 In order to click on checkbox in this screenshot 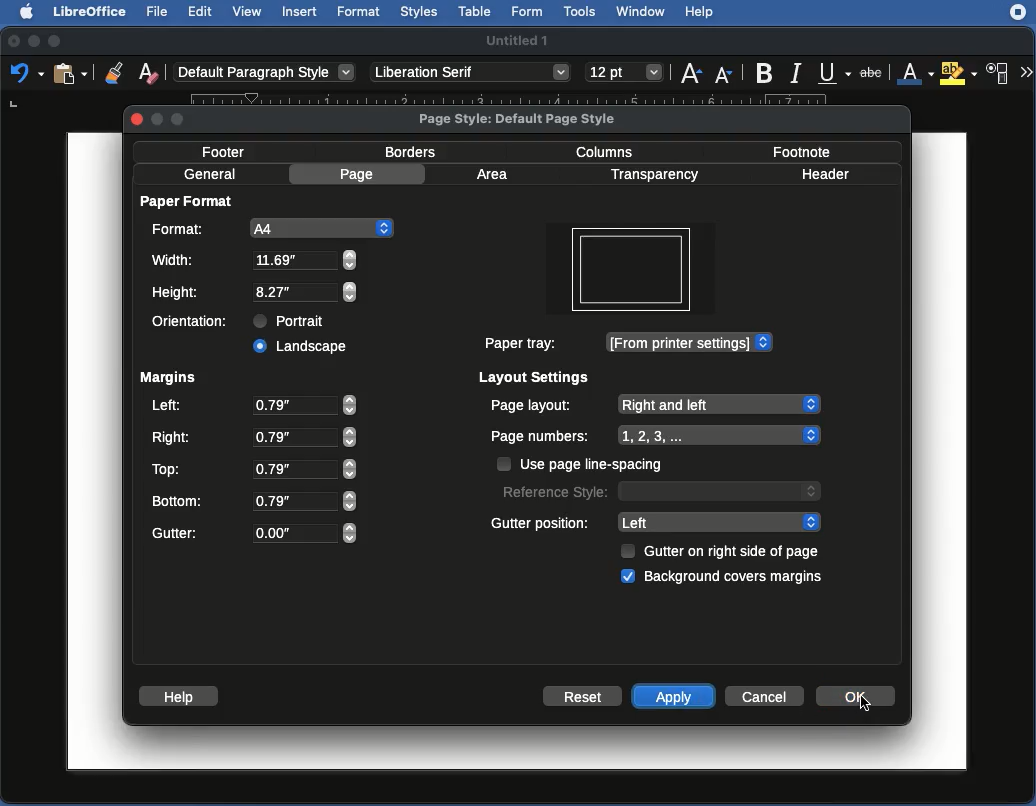, I will do `click(626, 550)`.